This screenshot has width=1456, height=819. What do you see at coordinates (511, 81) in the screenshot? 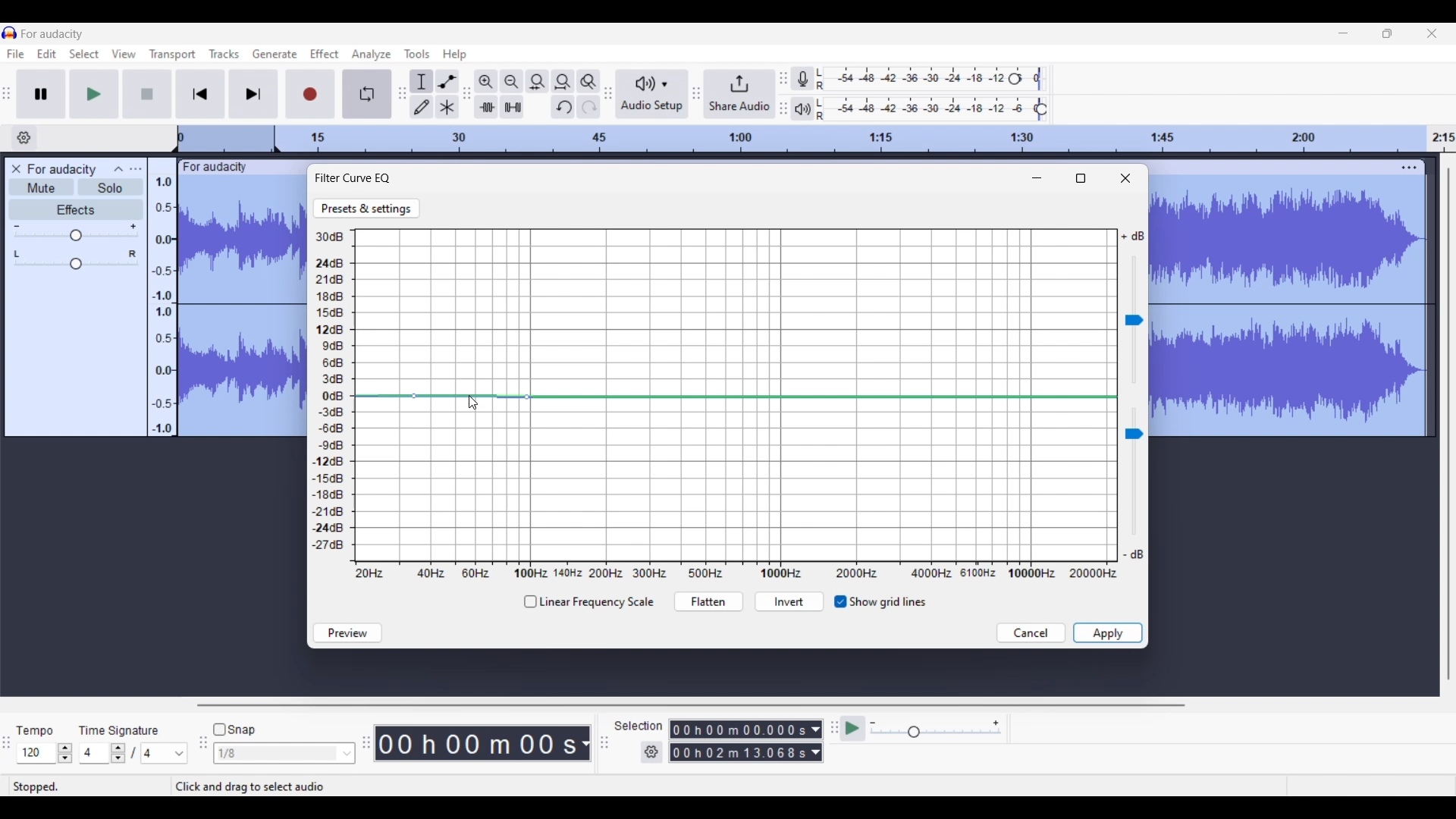
I see `Zoom out` at bounding box center [511, 81].